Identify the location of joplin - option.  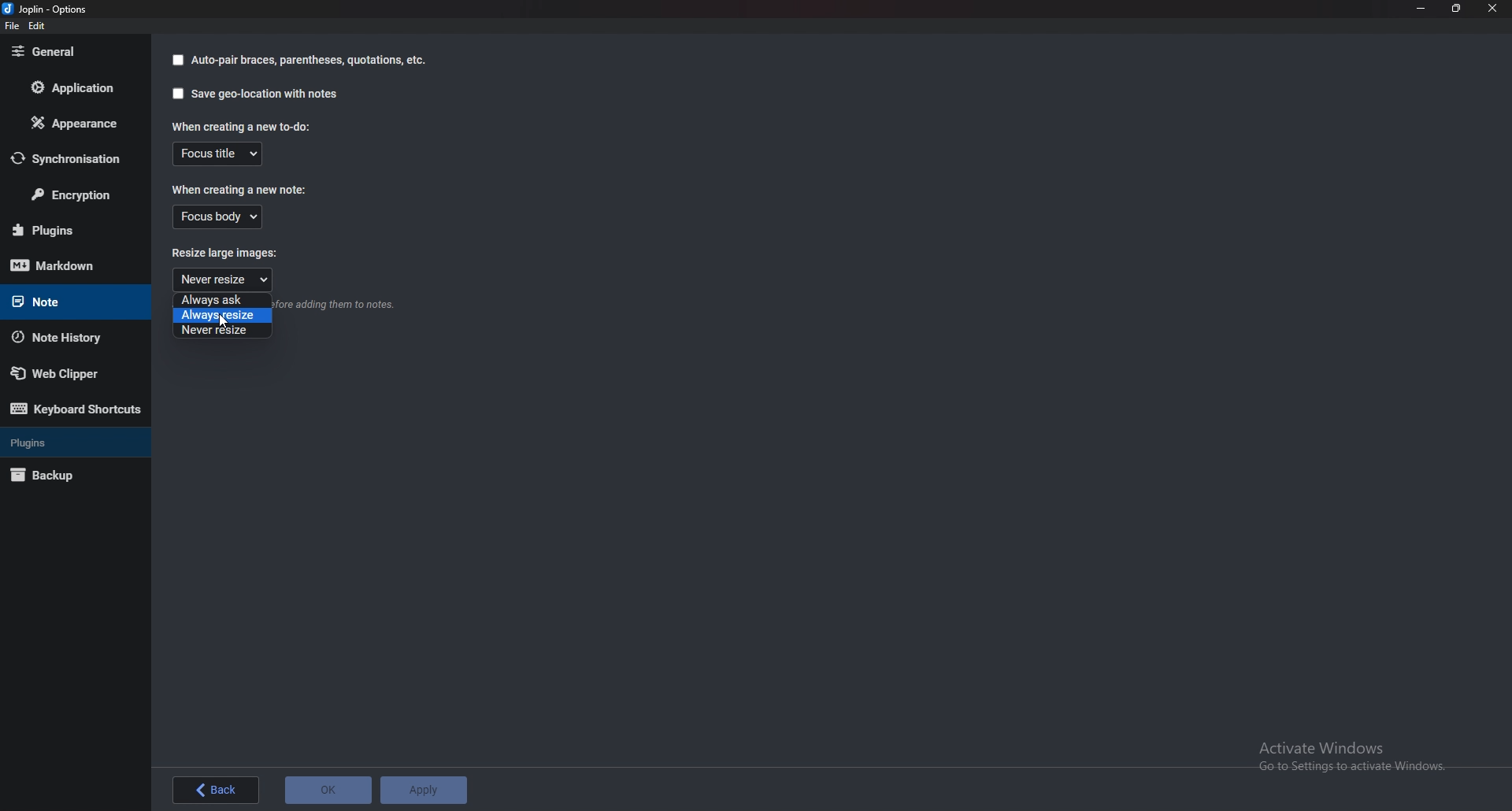
(48, 9).